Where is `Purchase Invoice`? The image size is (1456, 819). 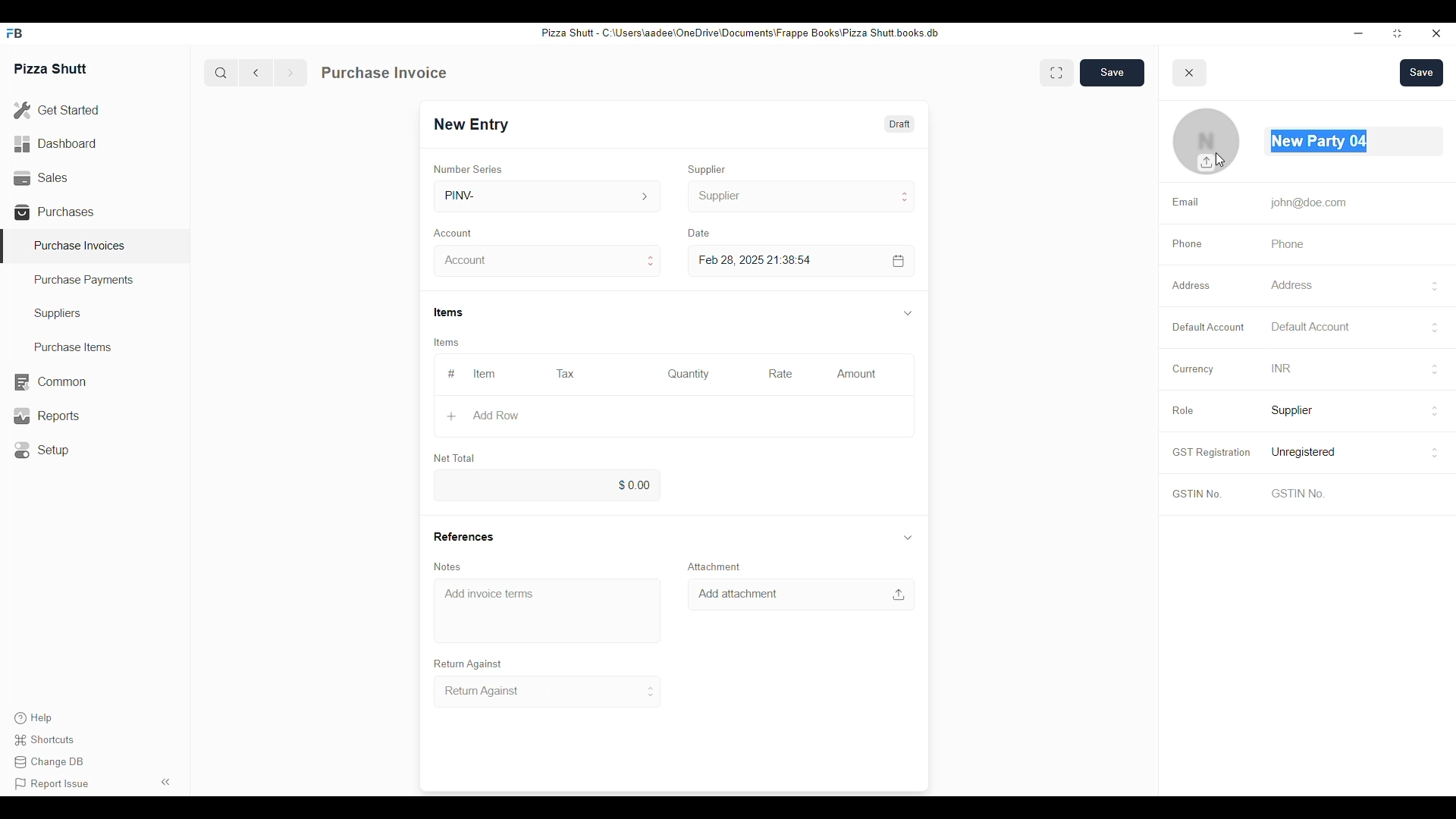
Purchase Invoice is located at coordinates (384, 73).